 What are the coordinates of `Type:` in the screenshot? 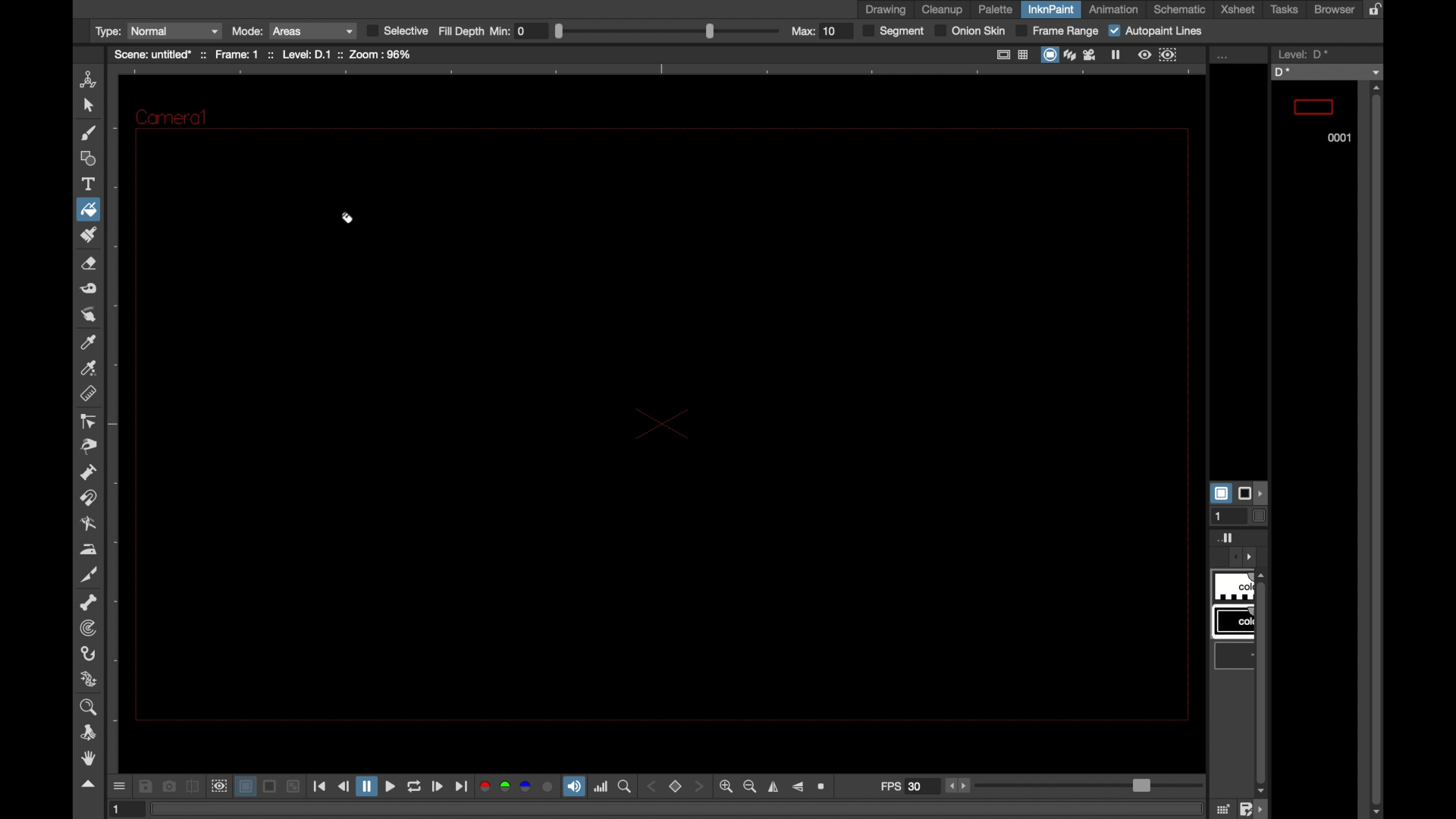 It's located at (108, 31).